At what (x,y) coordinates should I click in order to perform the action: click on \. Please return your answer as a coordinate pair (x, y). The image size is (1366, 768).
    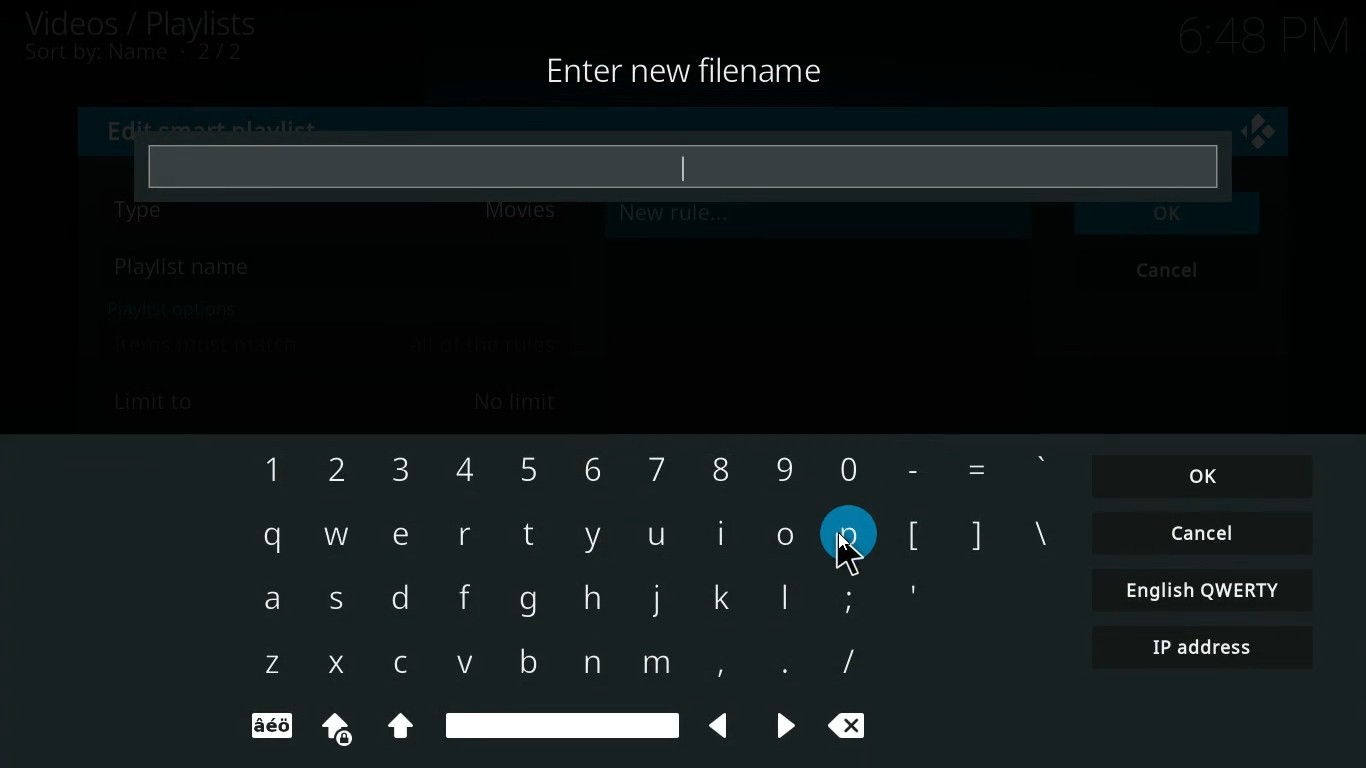
    Looking at the image, I should click on (1039, 537).